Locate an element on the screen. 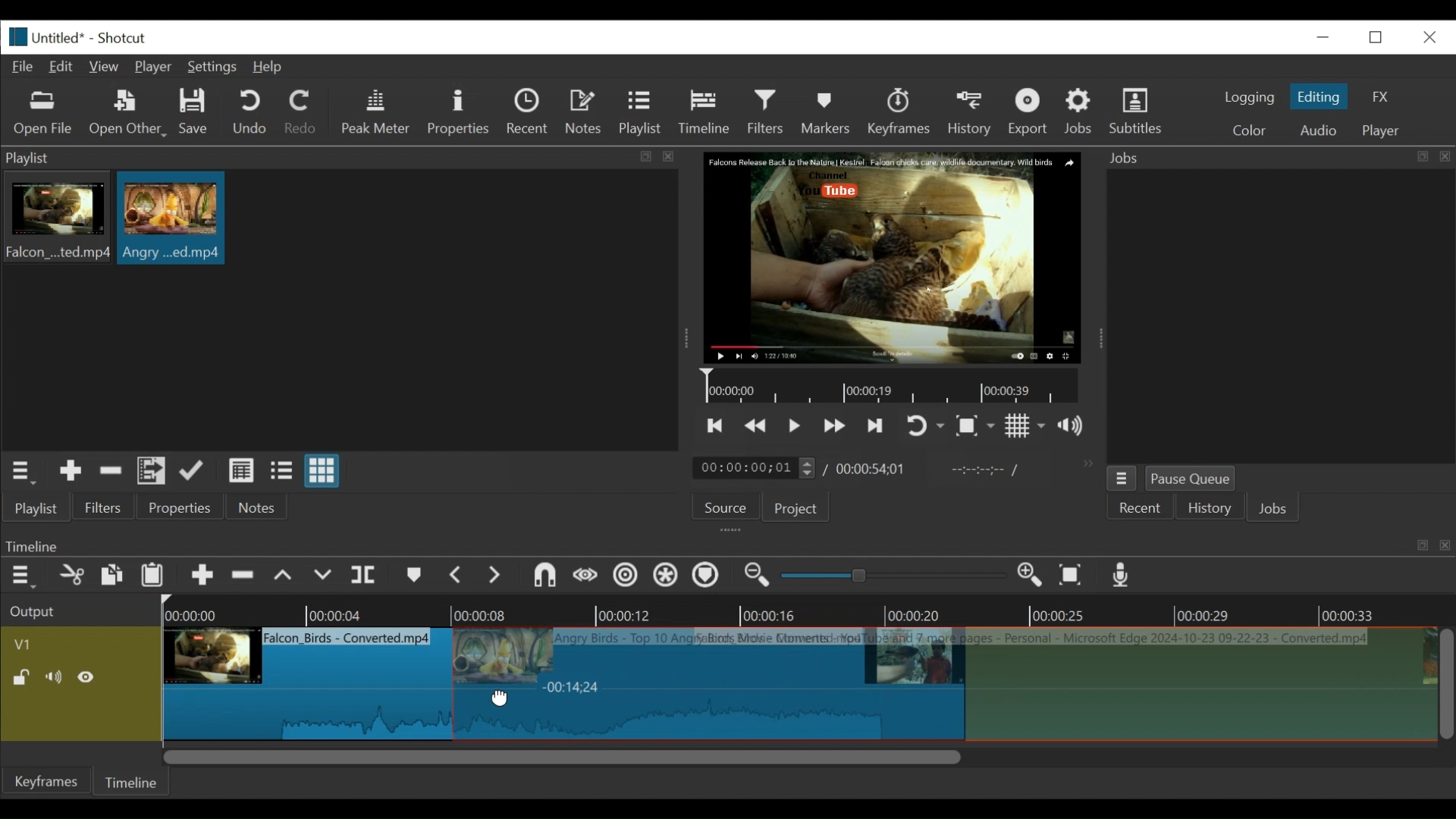 This screenshot has height=819, width=1456. clip is located at coordinates (1197, 685).